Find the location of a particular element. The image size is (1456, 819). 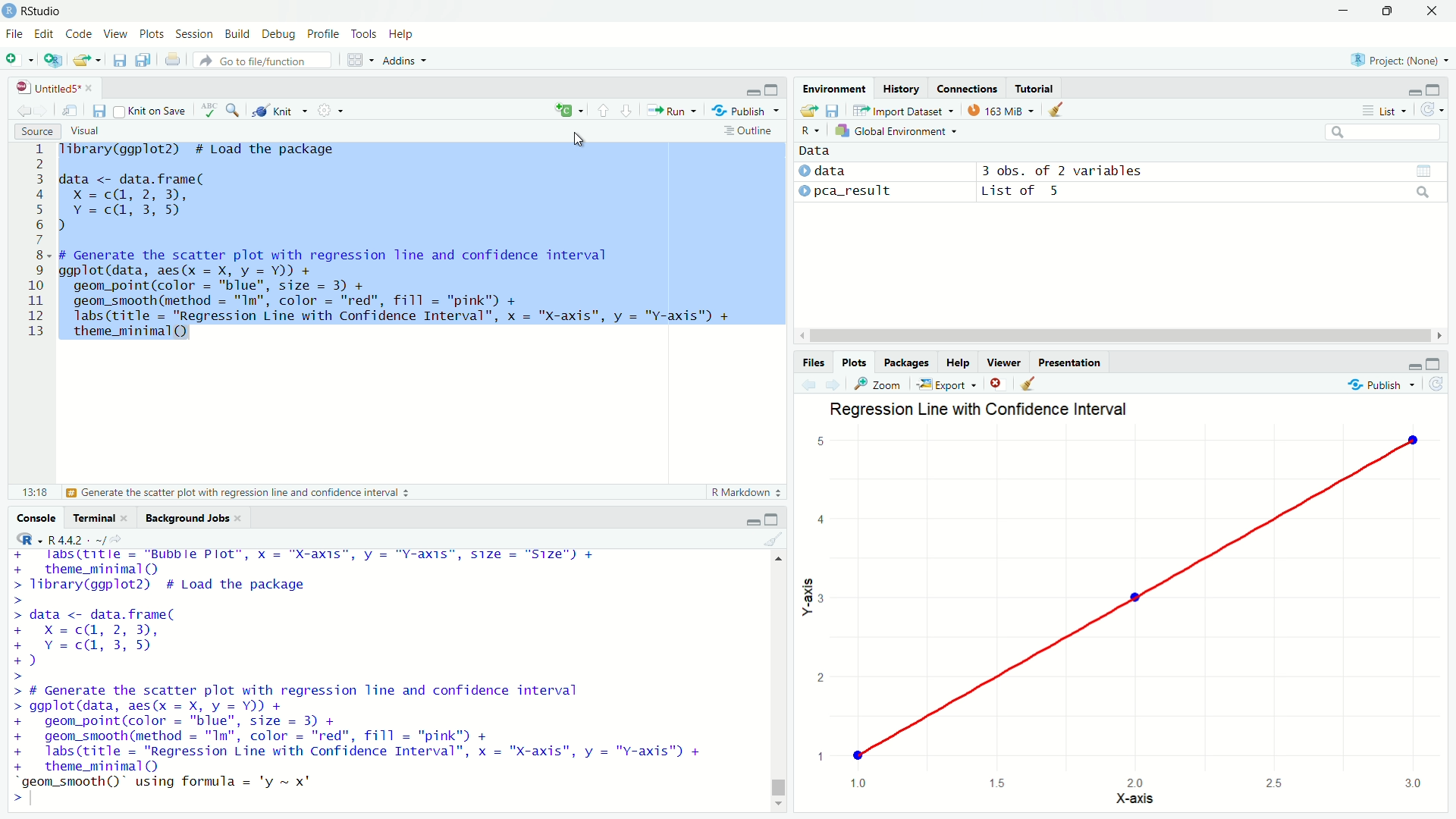

More options is located at coordinates (330, 110).